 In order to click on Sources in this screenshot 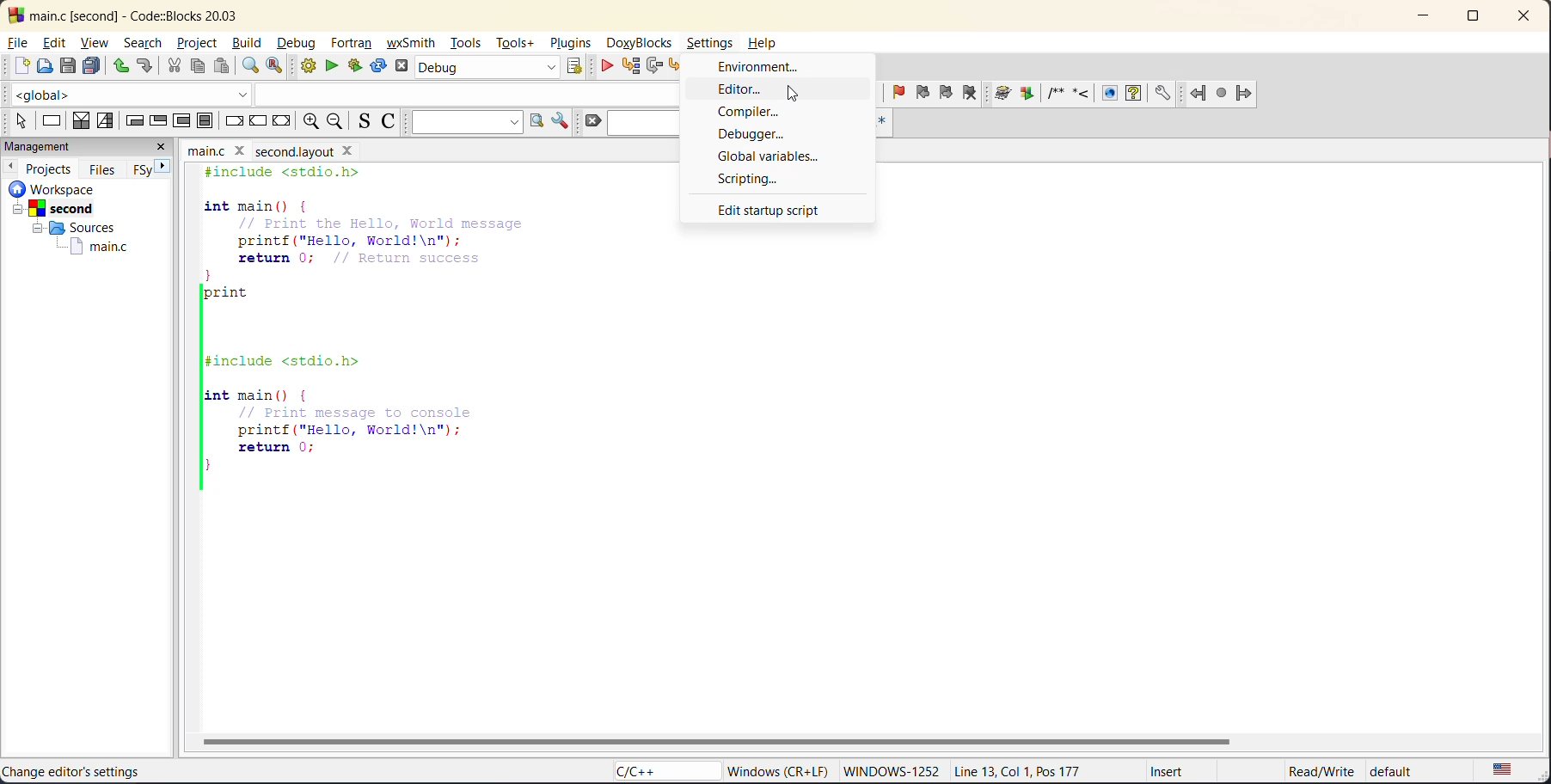, I will do `click(70, 228)`.